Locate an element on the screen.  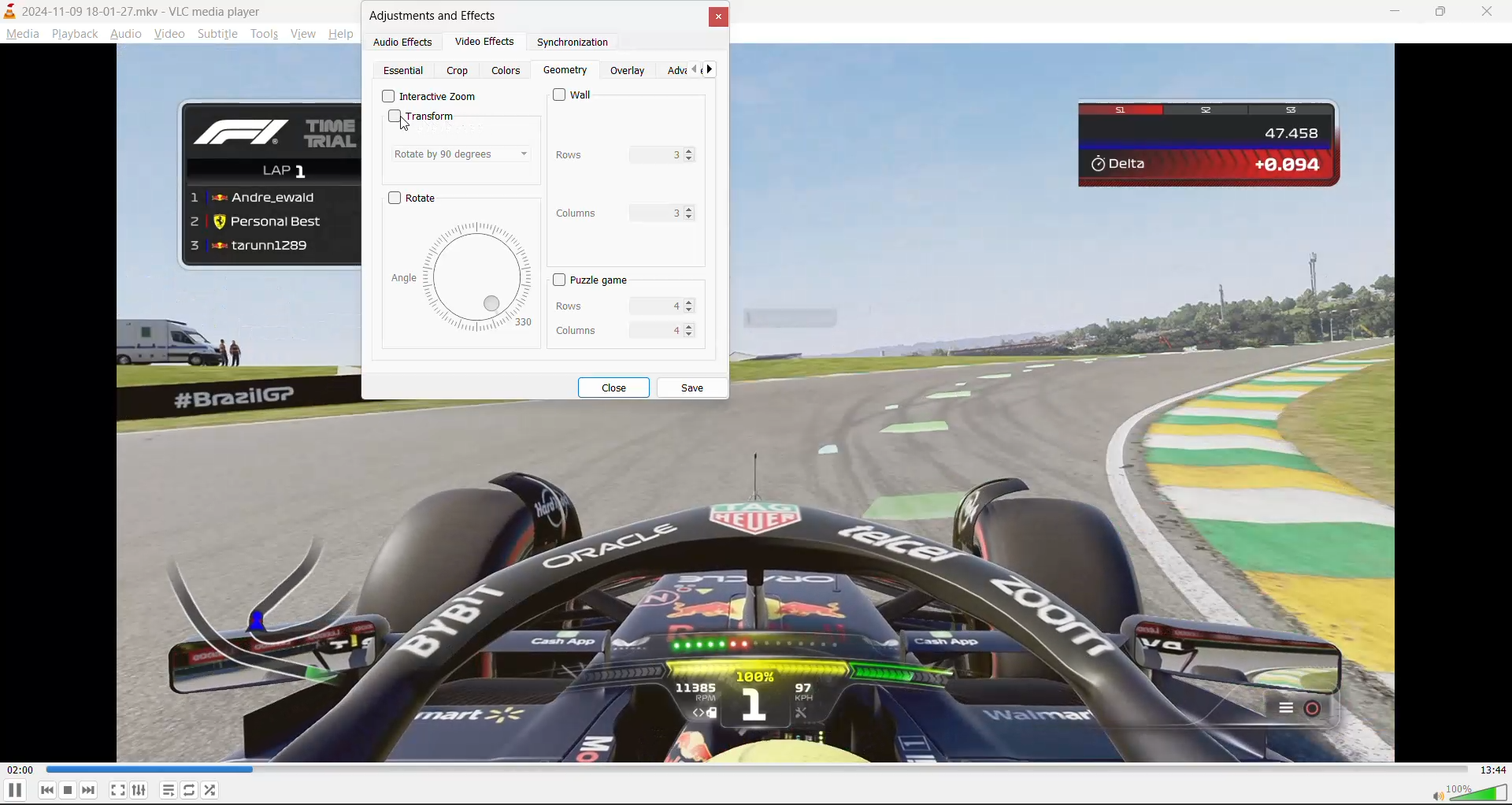
total track time is located at coordinates (1489, 768).